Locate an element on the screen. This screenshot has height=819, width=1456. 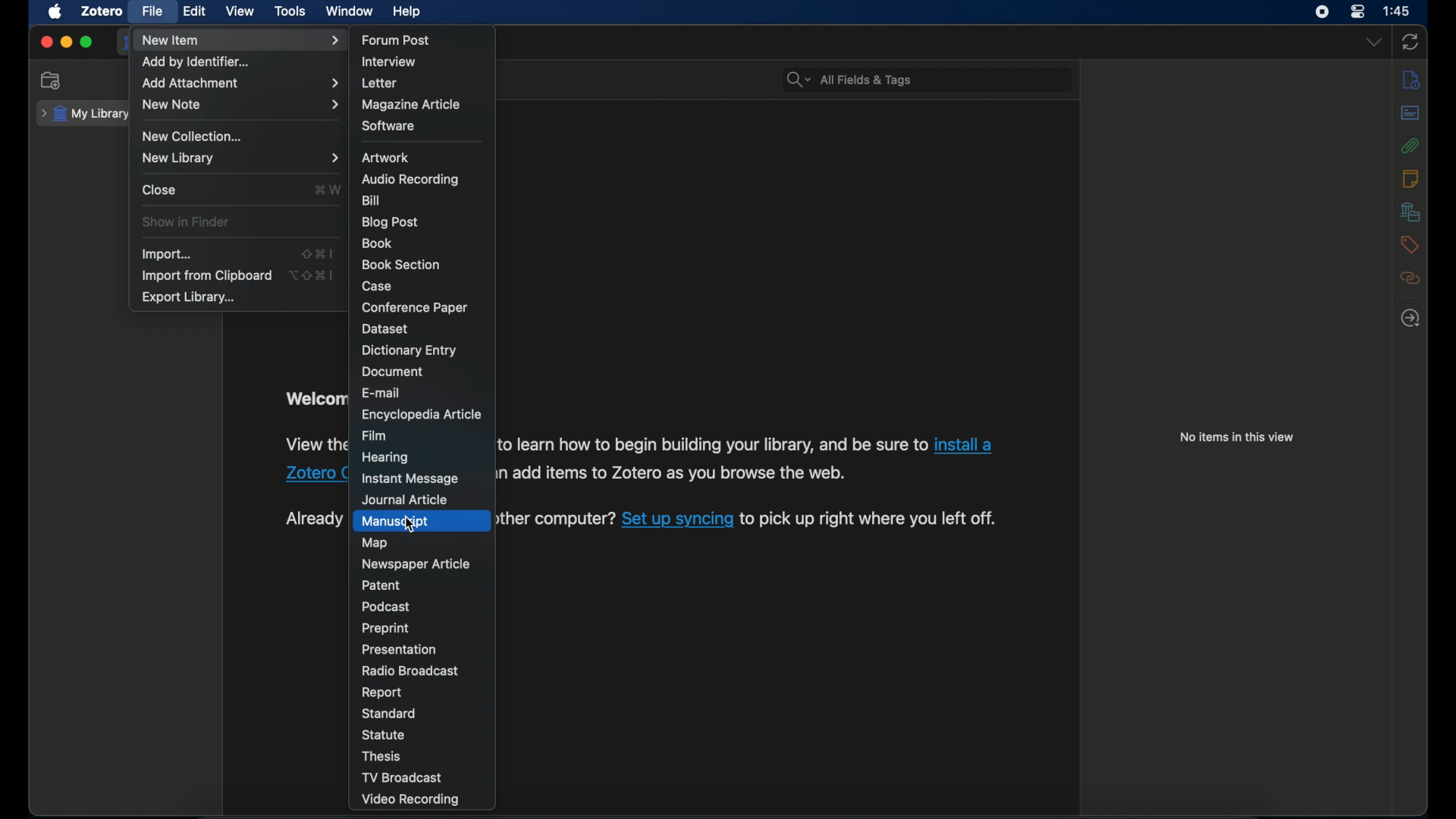
edit is located at coordinates (196, 12).